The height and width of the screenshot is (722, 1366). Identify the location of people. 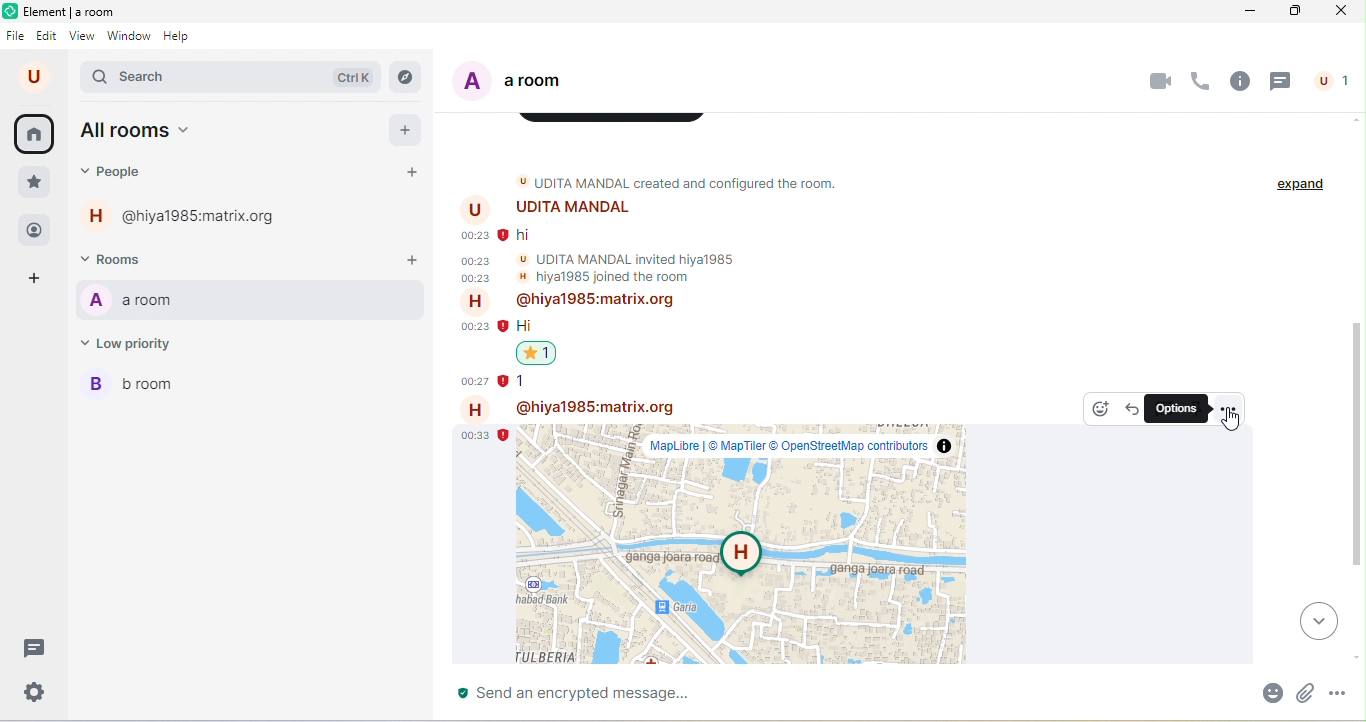
(1336, 81).